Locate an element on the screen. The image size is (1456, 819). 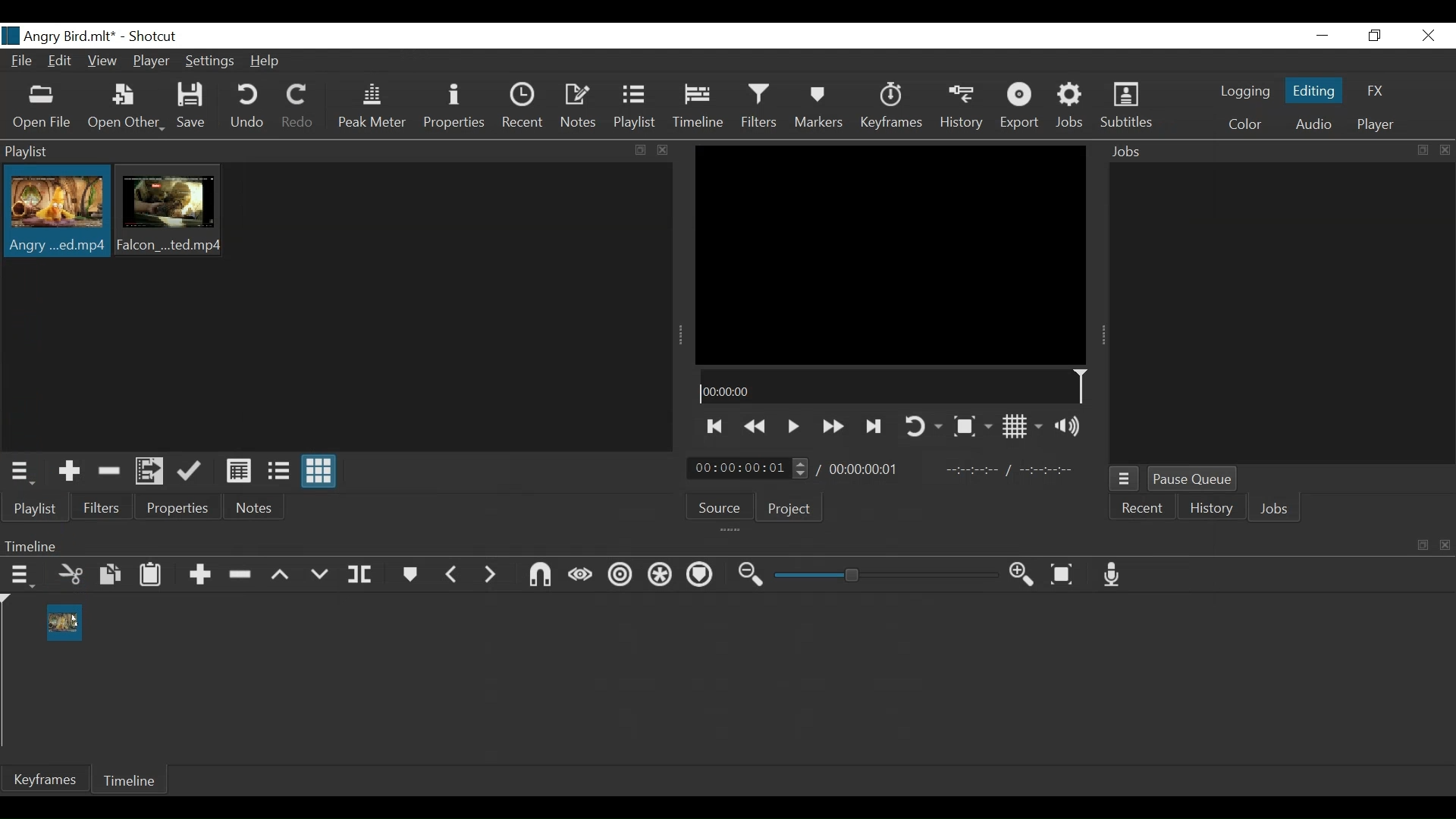
Help is located at coordinates (267, 63).